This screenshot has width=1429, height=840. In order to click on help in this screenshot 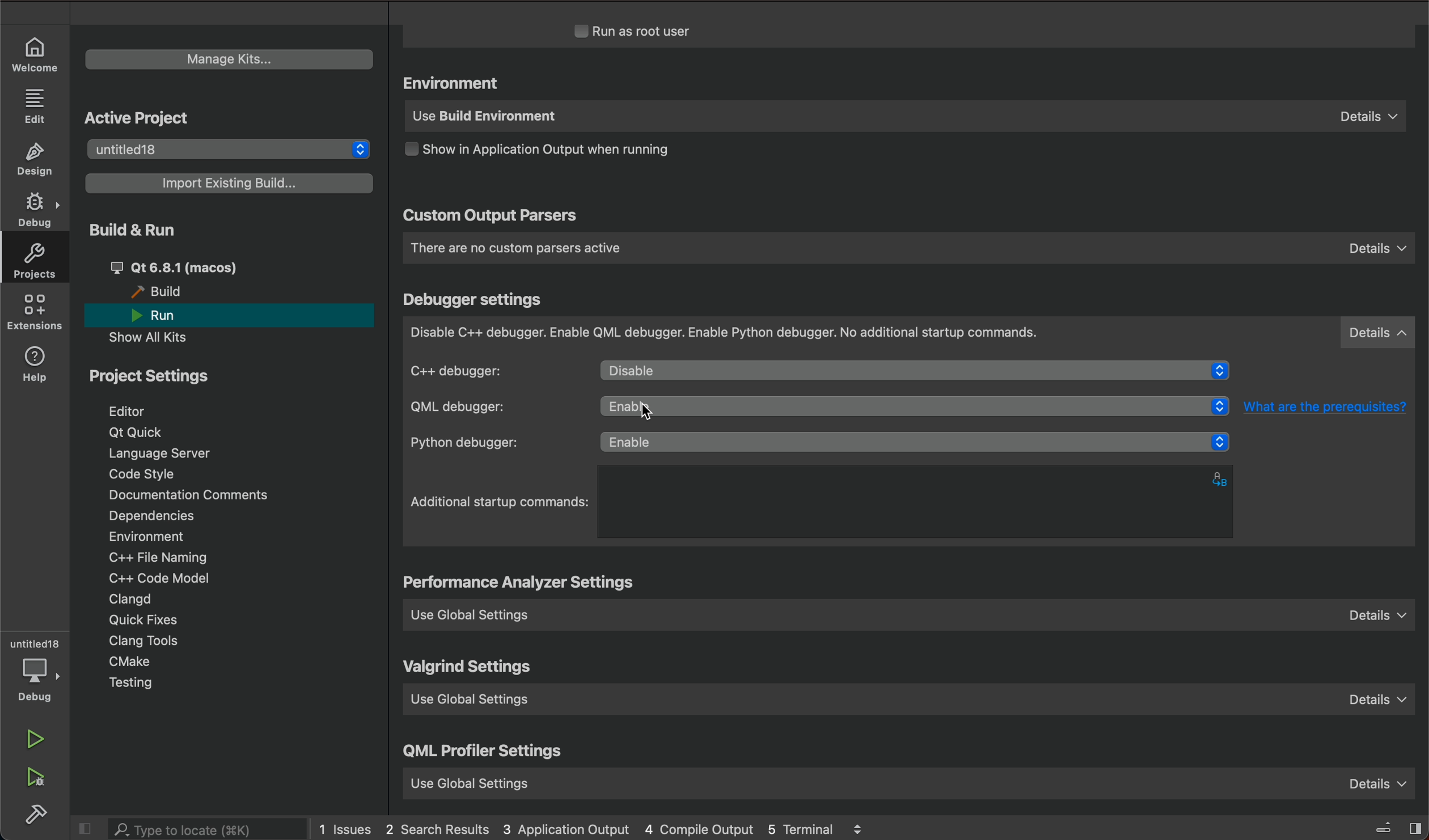, I will do `click(39, 364)`.